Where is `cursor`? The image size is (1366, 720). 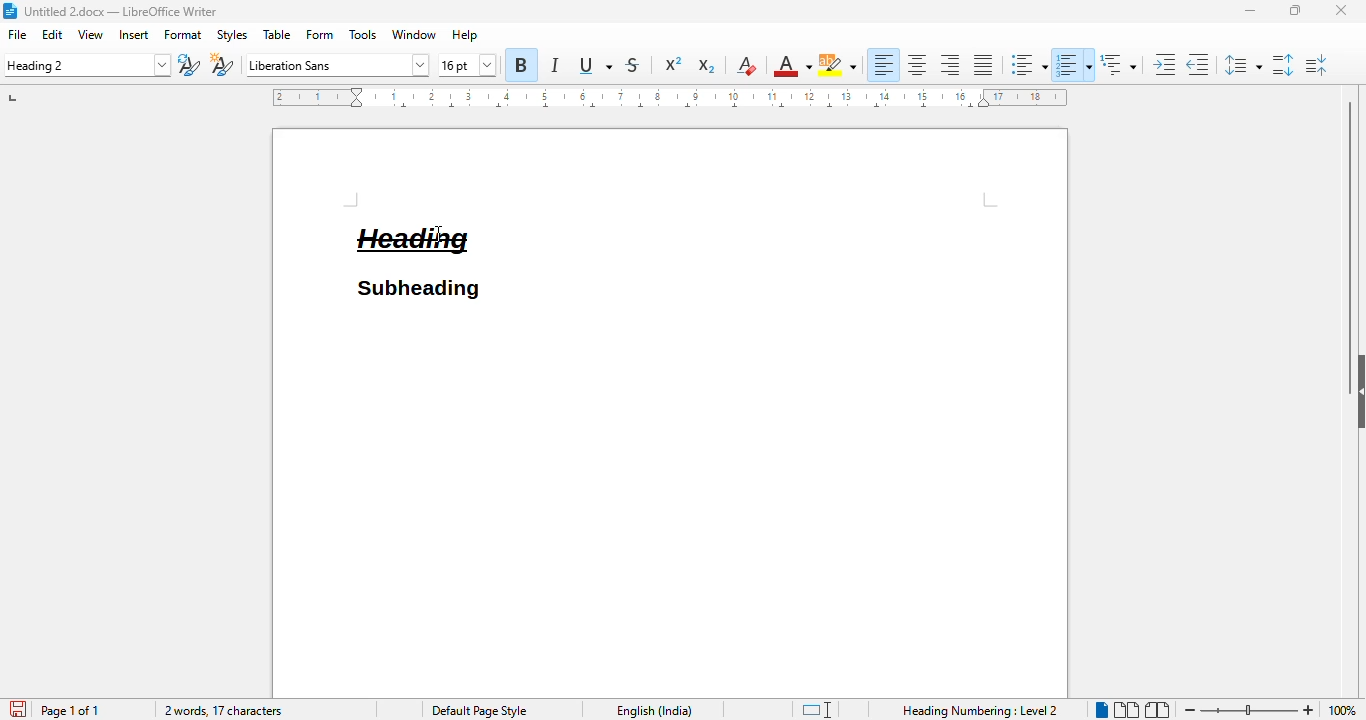
cursor is located at coordinates (437, 235).